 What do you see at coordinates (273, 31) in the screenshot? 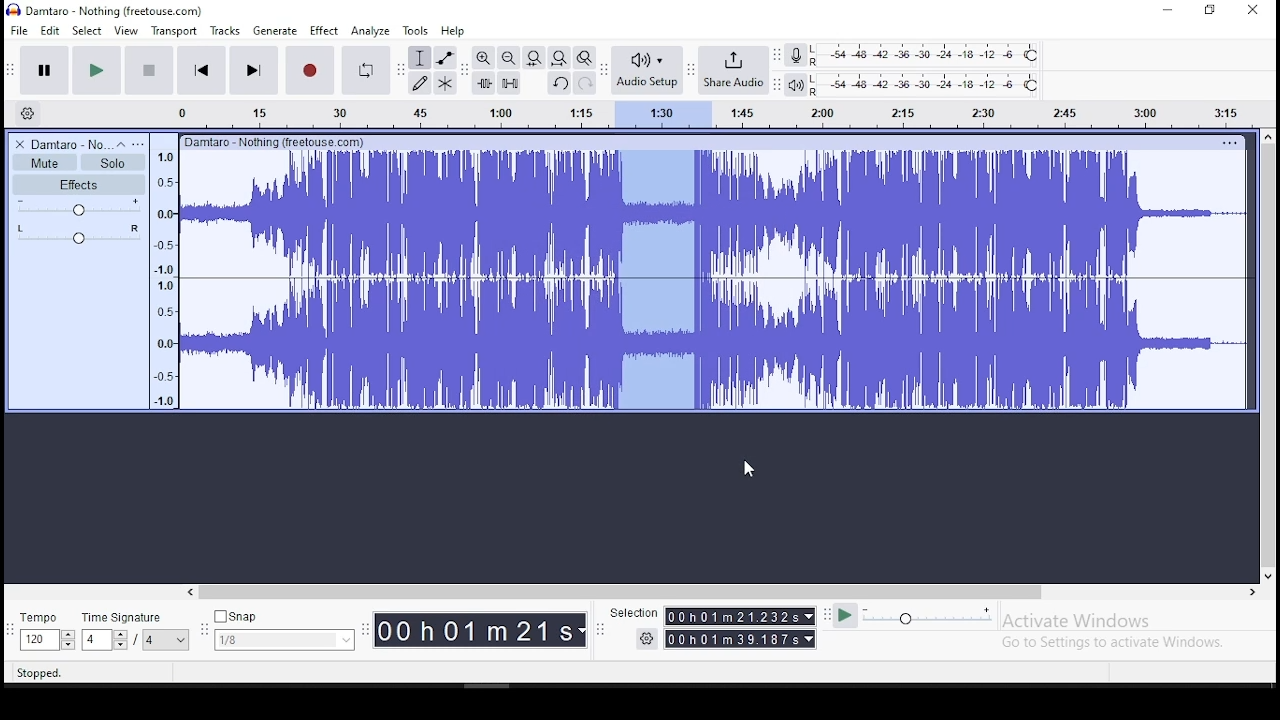
I see `generate` at bounding box center [273, 31].